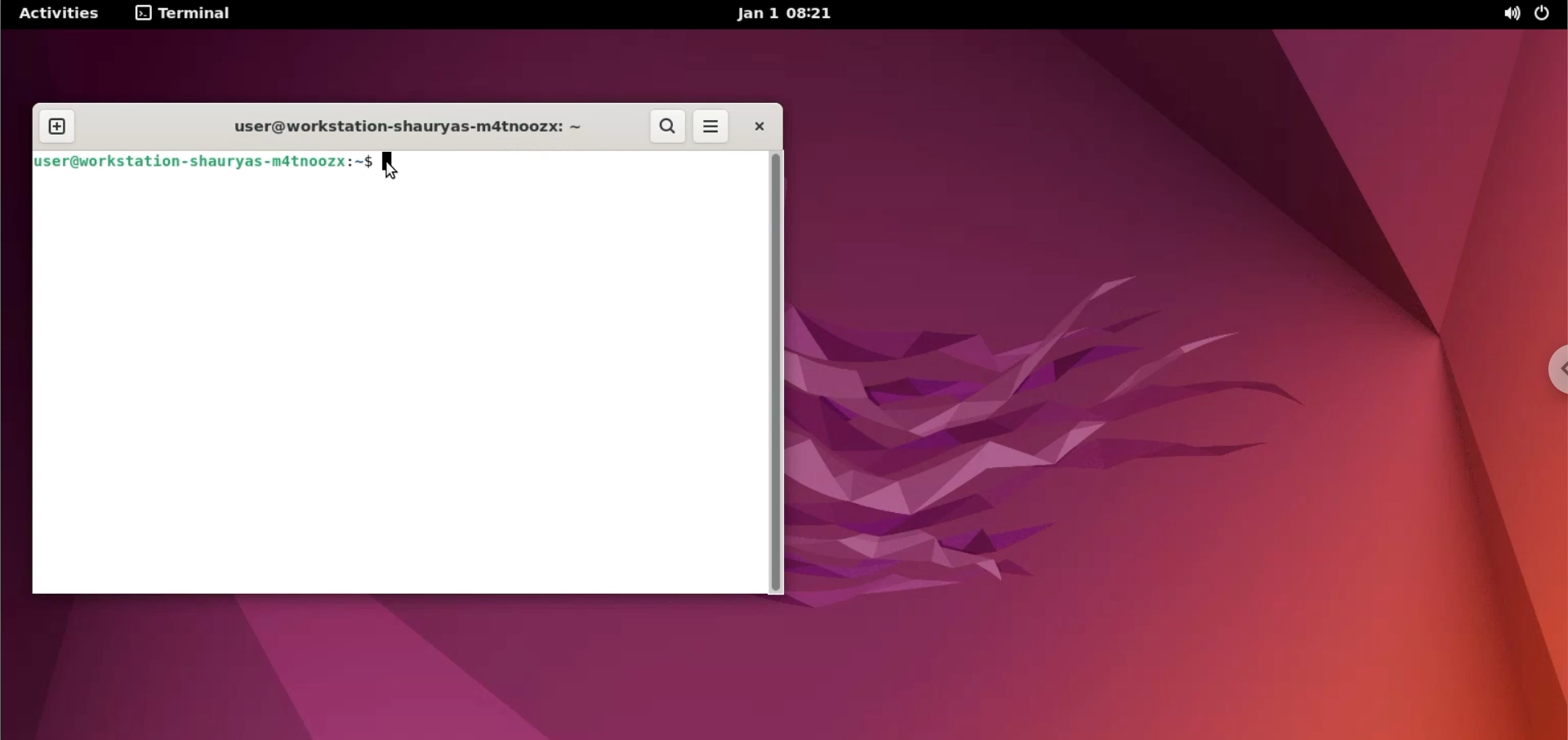 The height and width of the screenshot is (740, 1568). What do you see at coordinates (669, 127) in the screenshot?
I see `search` at bounding box center [669, 127].